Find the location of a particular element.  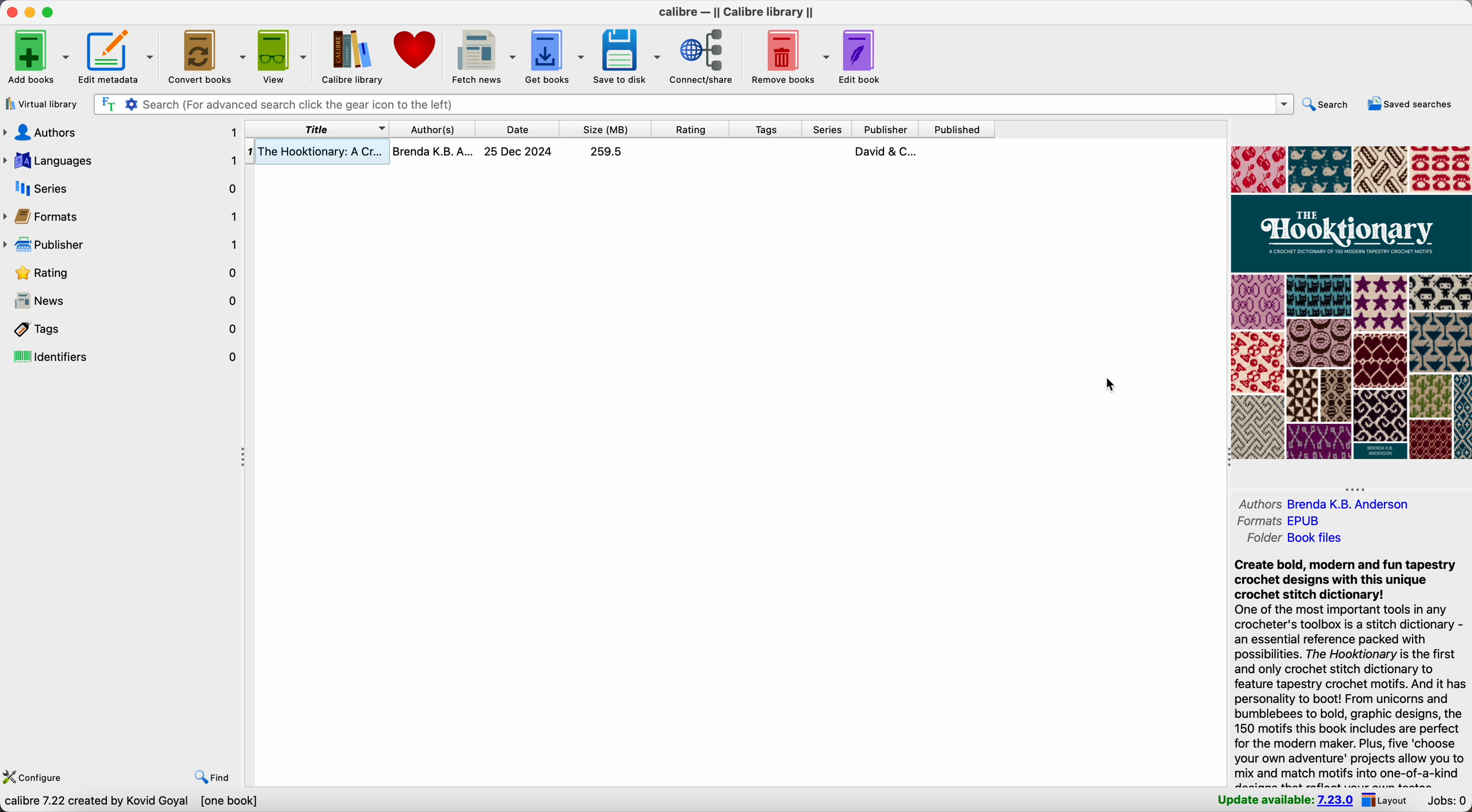

connect/share is located at coordinates (705, 56).